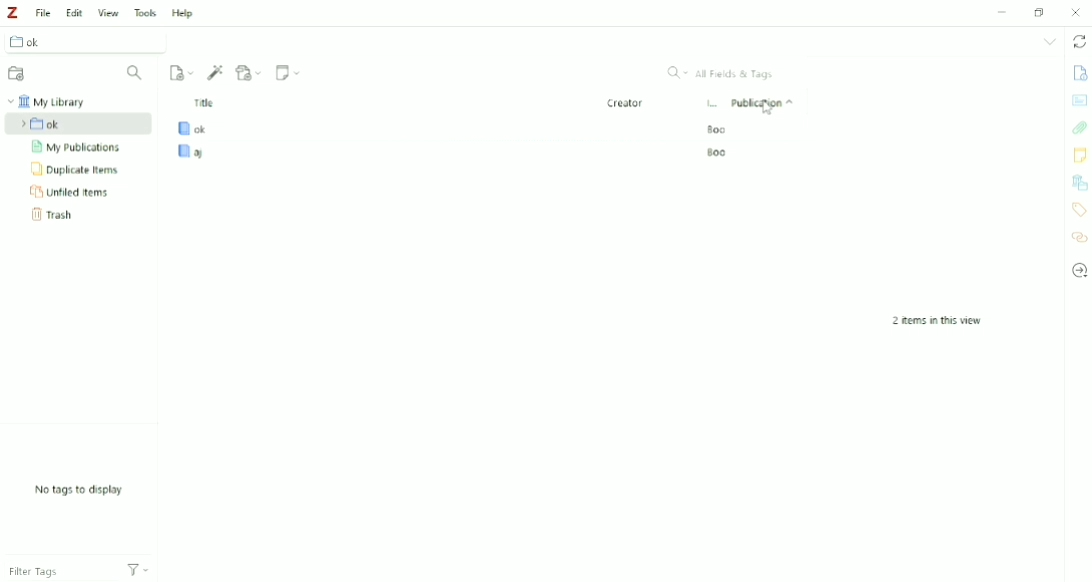 Image resolution: width=1092 pixels, height=582 pixels. Describe the element at coordinates (723, 74) in the screenshot. I see `All Fields & Tags` at that location.